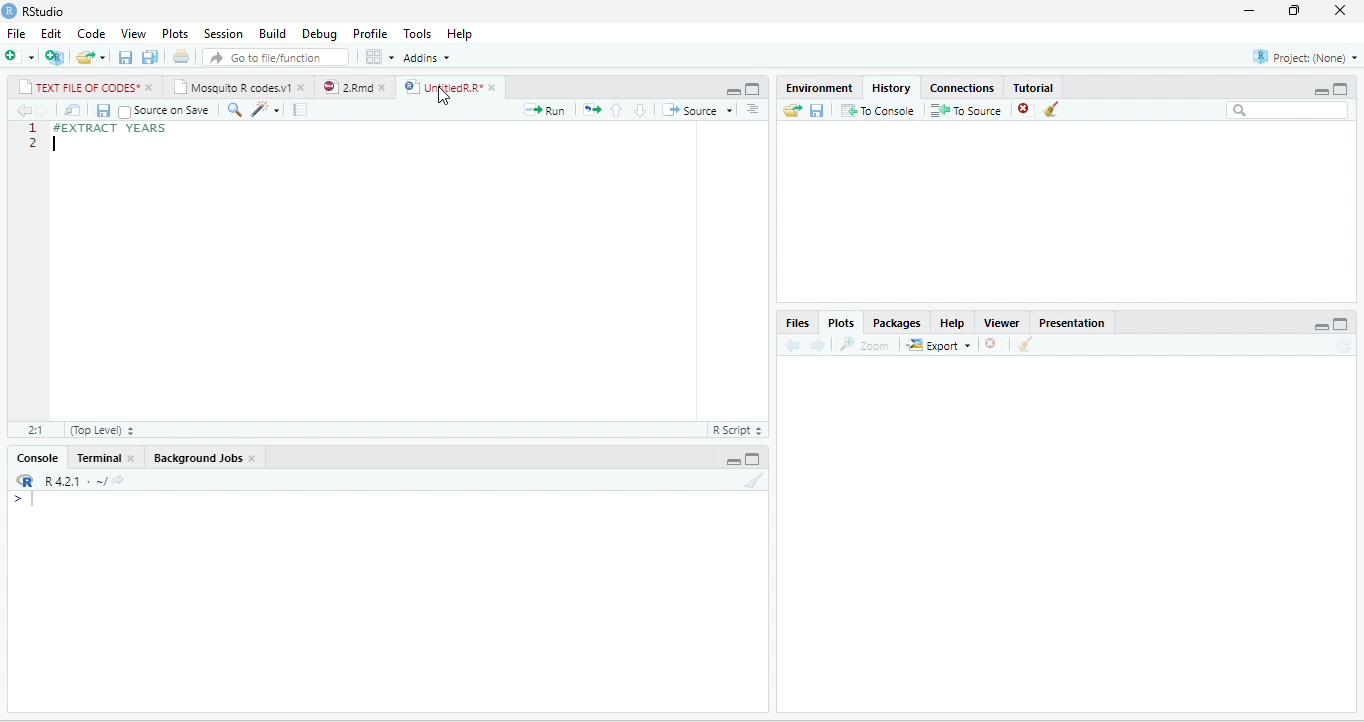 Image resolution: width=1364 pixels, height=722 pixels. What do you see at coordinates (196, 458) in the screenshot?
I see `Background Jobs` at bounding box center [196, 458].